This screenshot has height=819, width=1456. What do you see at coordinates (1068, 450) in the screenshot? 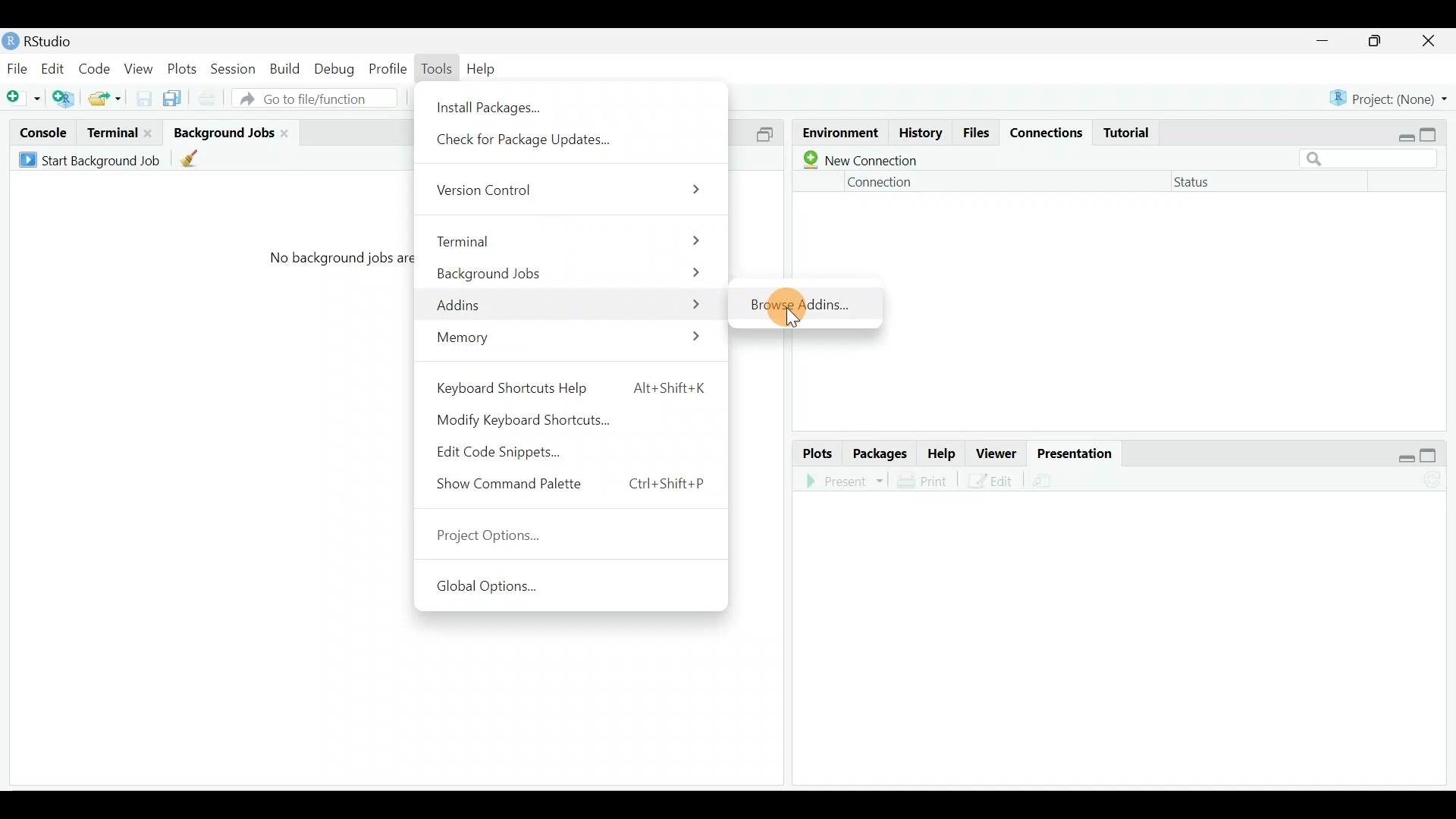
I see `Presentation` at bounding box center [1068, 450].